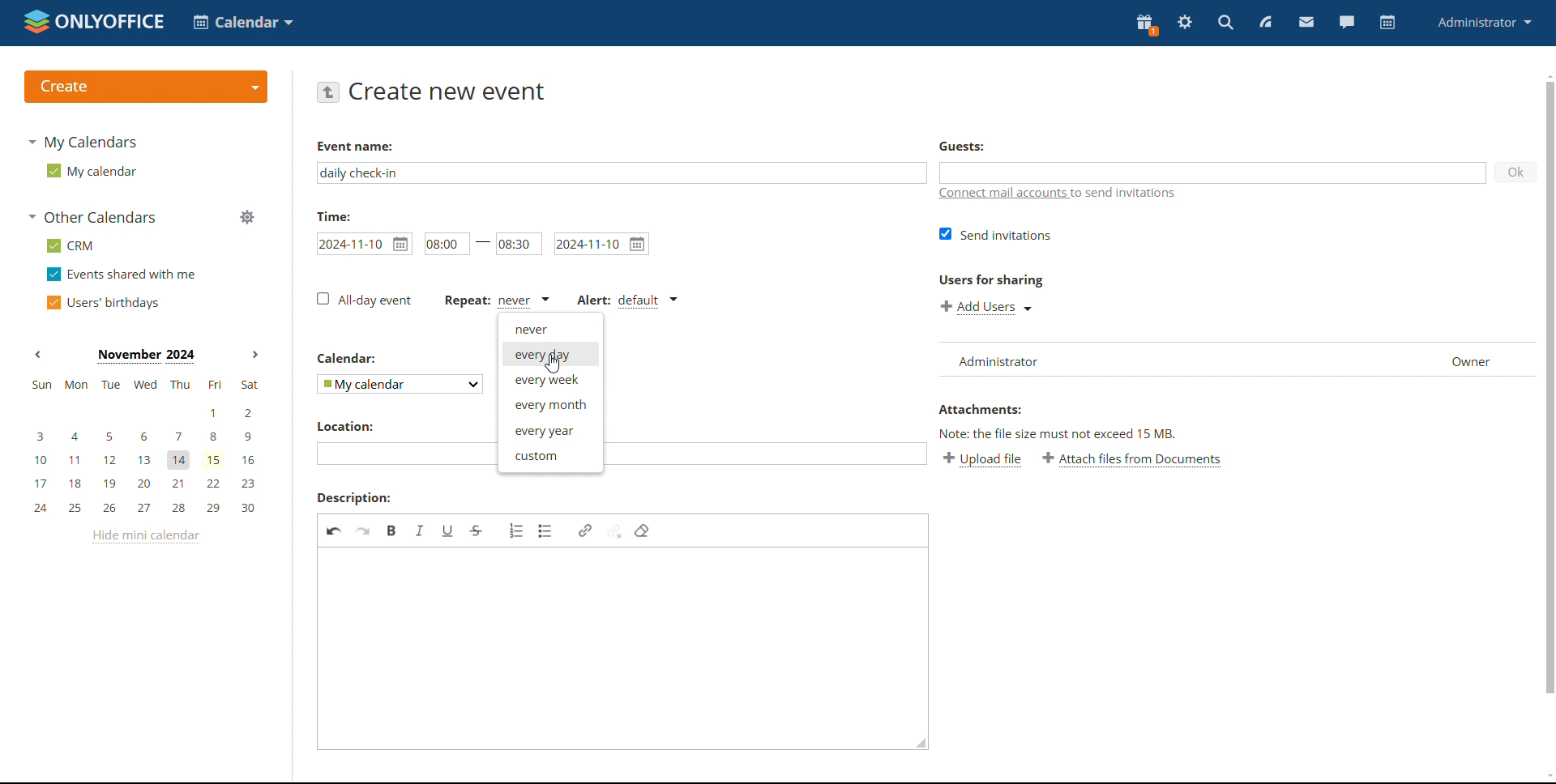 The image size is (1556, 784). What do you see at coordinates (1307, 23) in the screenshot?
I see `mail` at bounding box center [1307, 23].